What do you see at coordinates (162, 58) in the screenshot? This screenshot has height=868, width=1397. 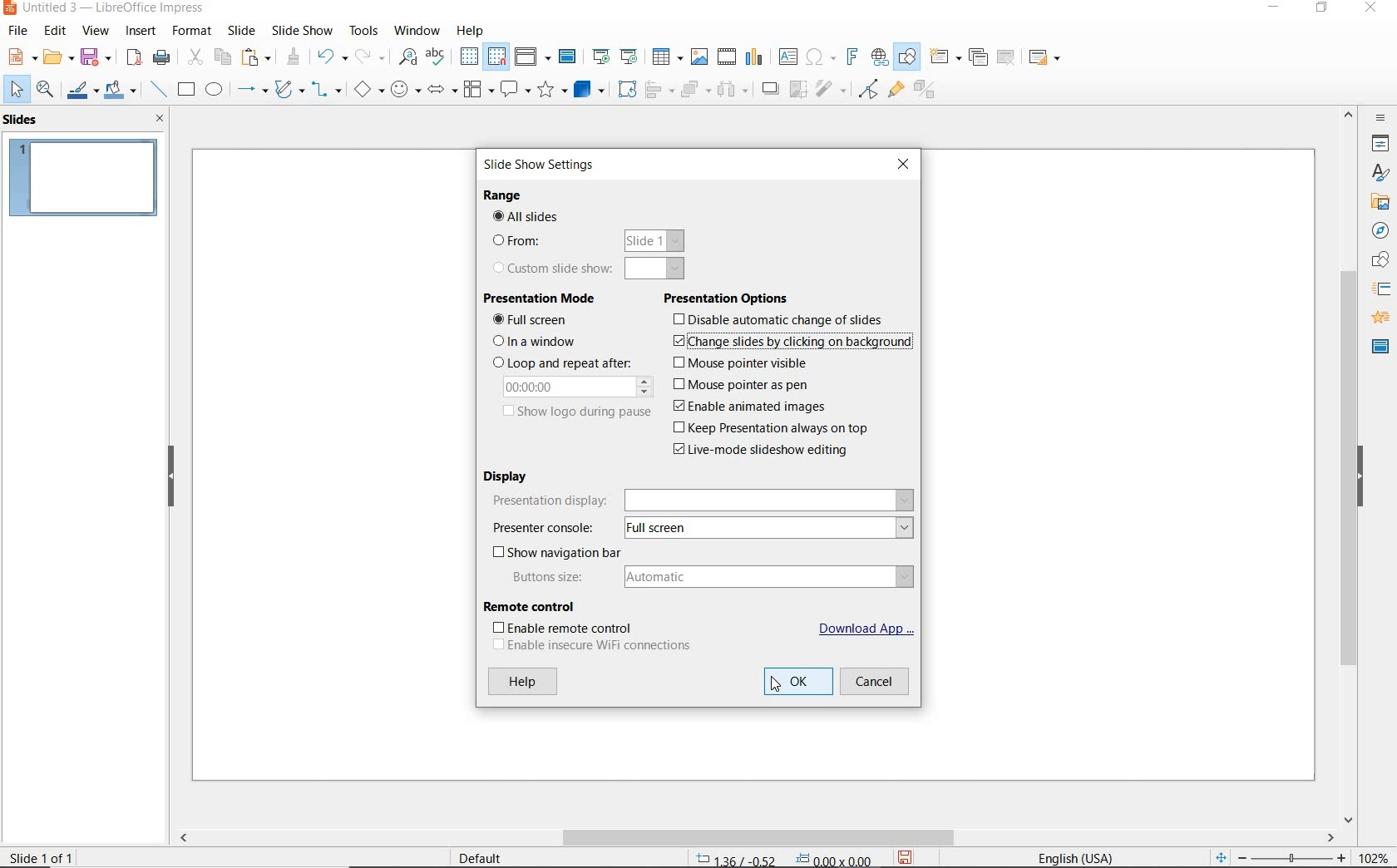 I see `PRINT` at bounding box center [162, 58].